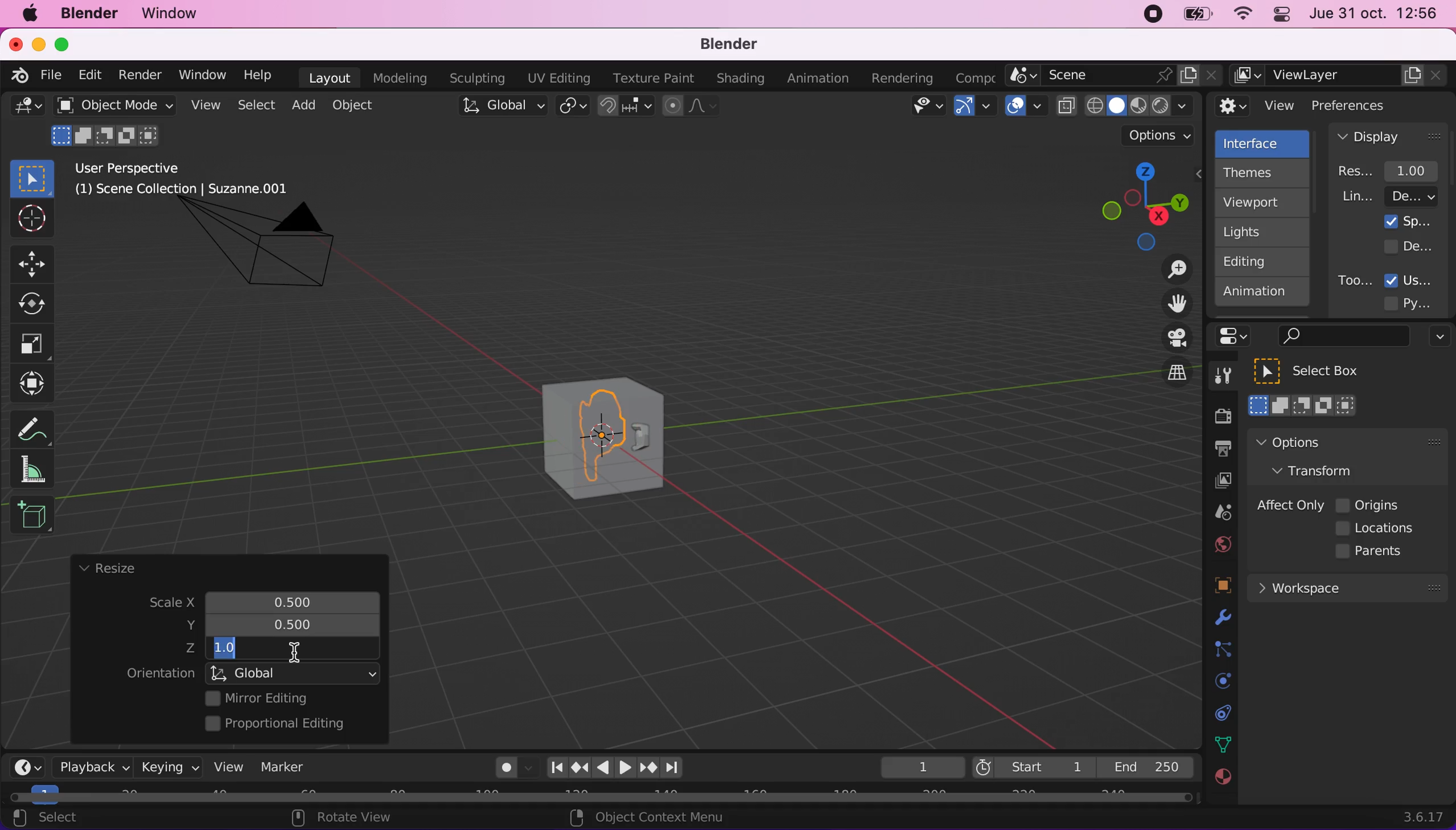 The height and width of the screenshot is (830, 1456). Describe the element at coordinates (35, 384) in the screenshot. I see `transform` at that location.